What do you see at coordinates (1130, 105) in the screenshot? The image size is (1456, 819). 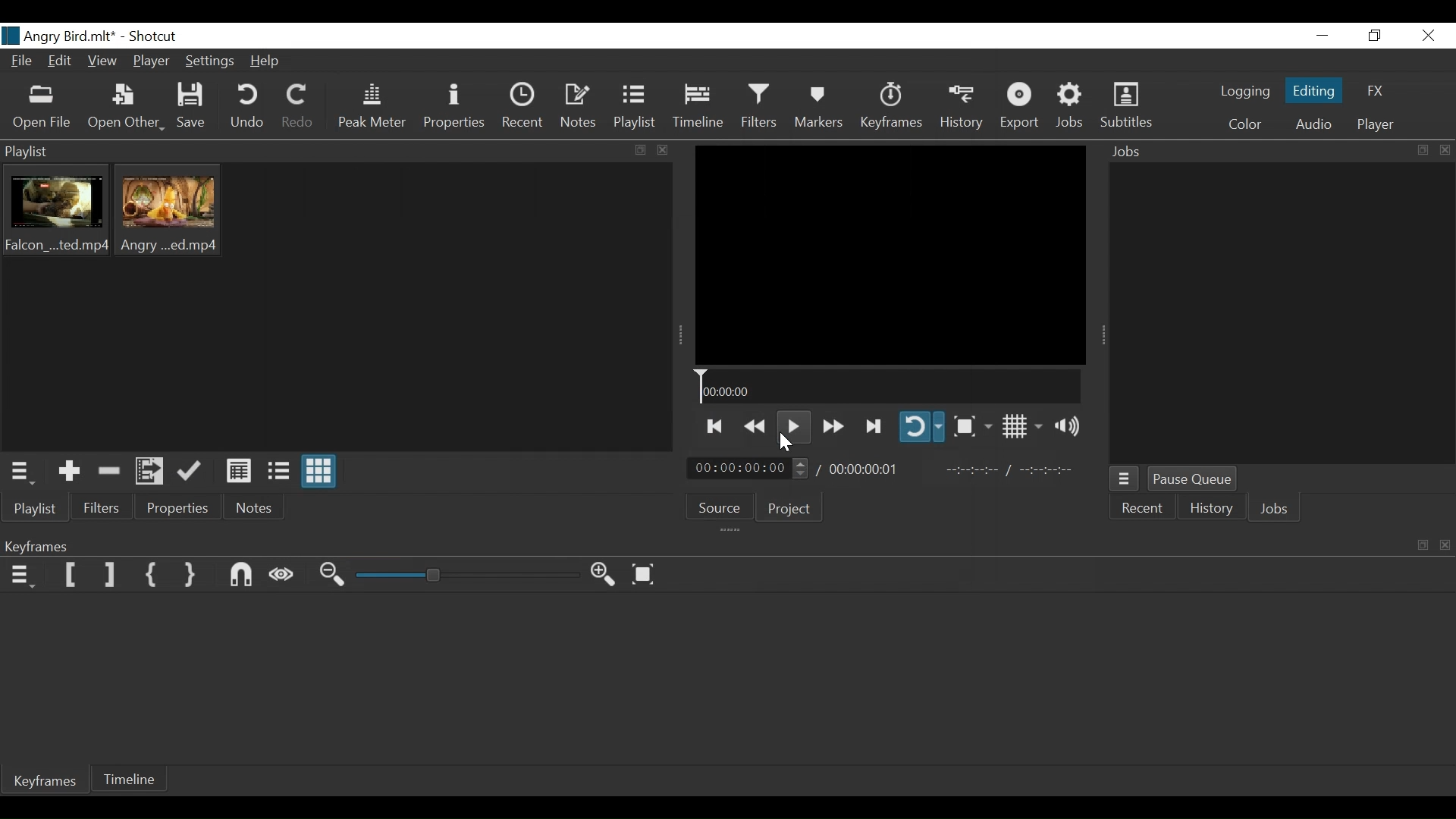 I see `Subtitles` at bounding box center [1130, 105].